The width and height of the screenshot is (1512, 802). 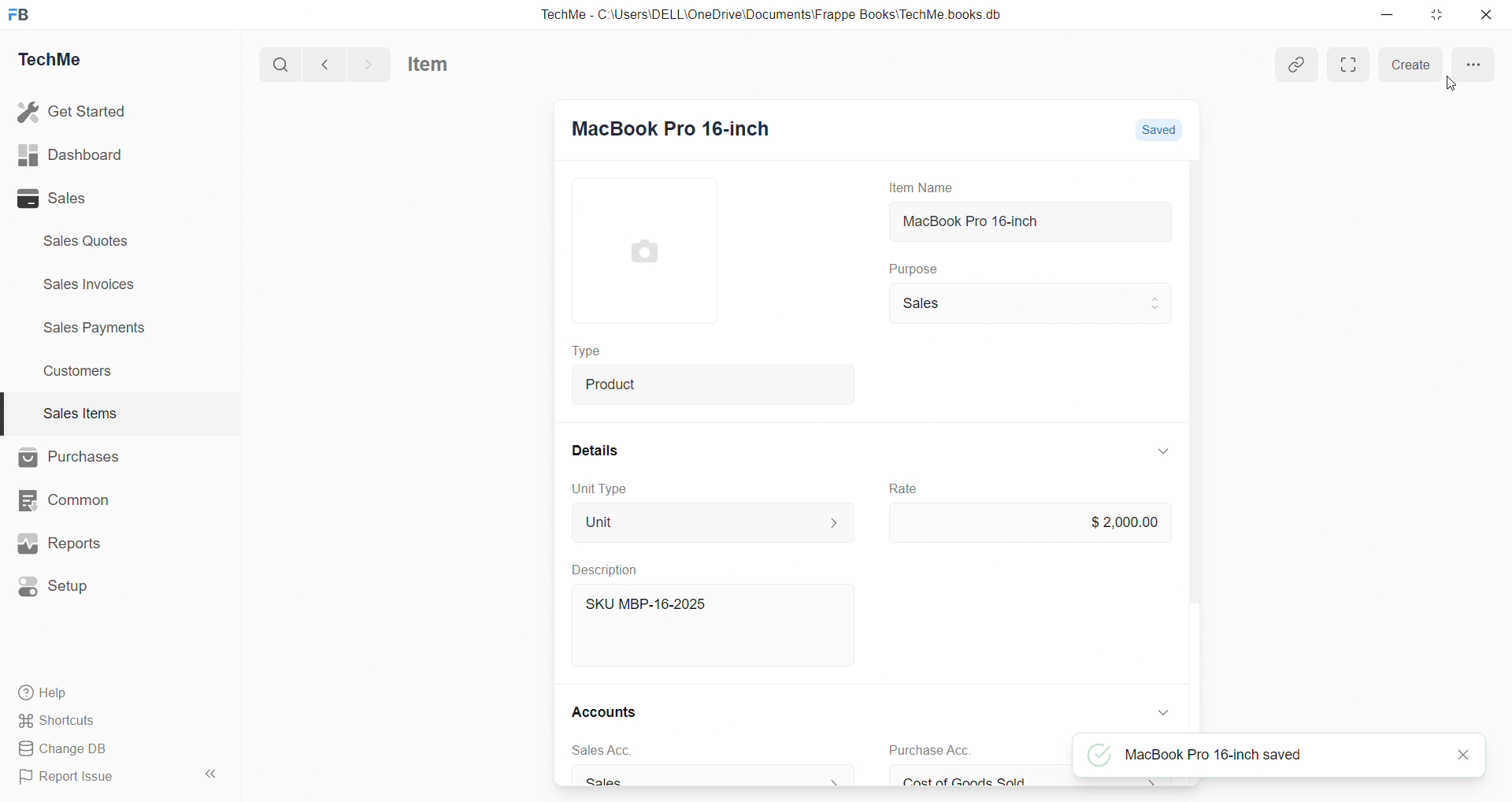 What do you see at coordinates (1349, 65) in the screenshot?
I see `enlarge` at bounding box center [1349, 65].